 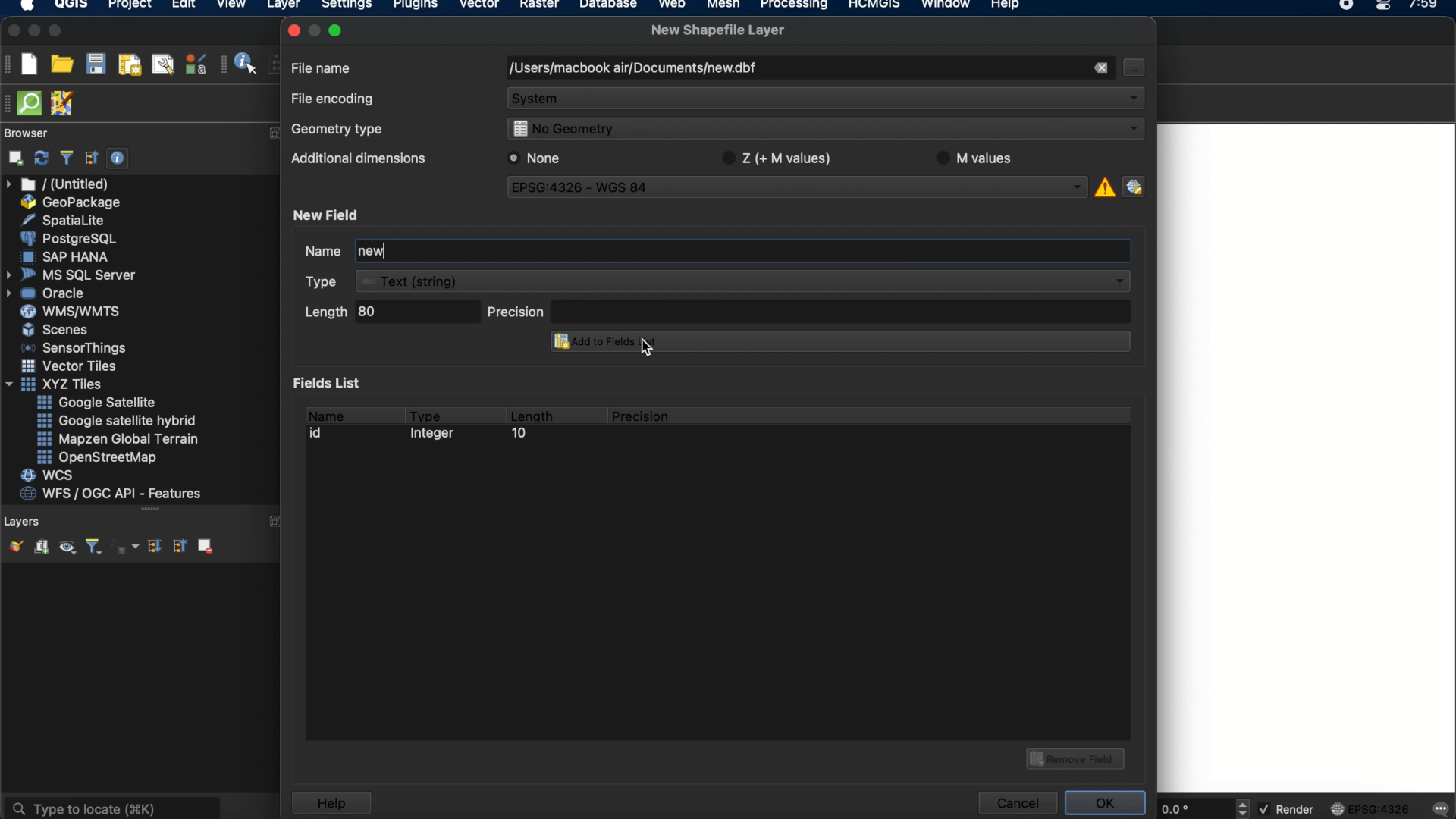 I want to click on expand, so click(x=274, y=521).